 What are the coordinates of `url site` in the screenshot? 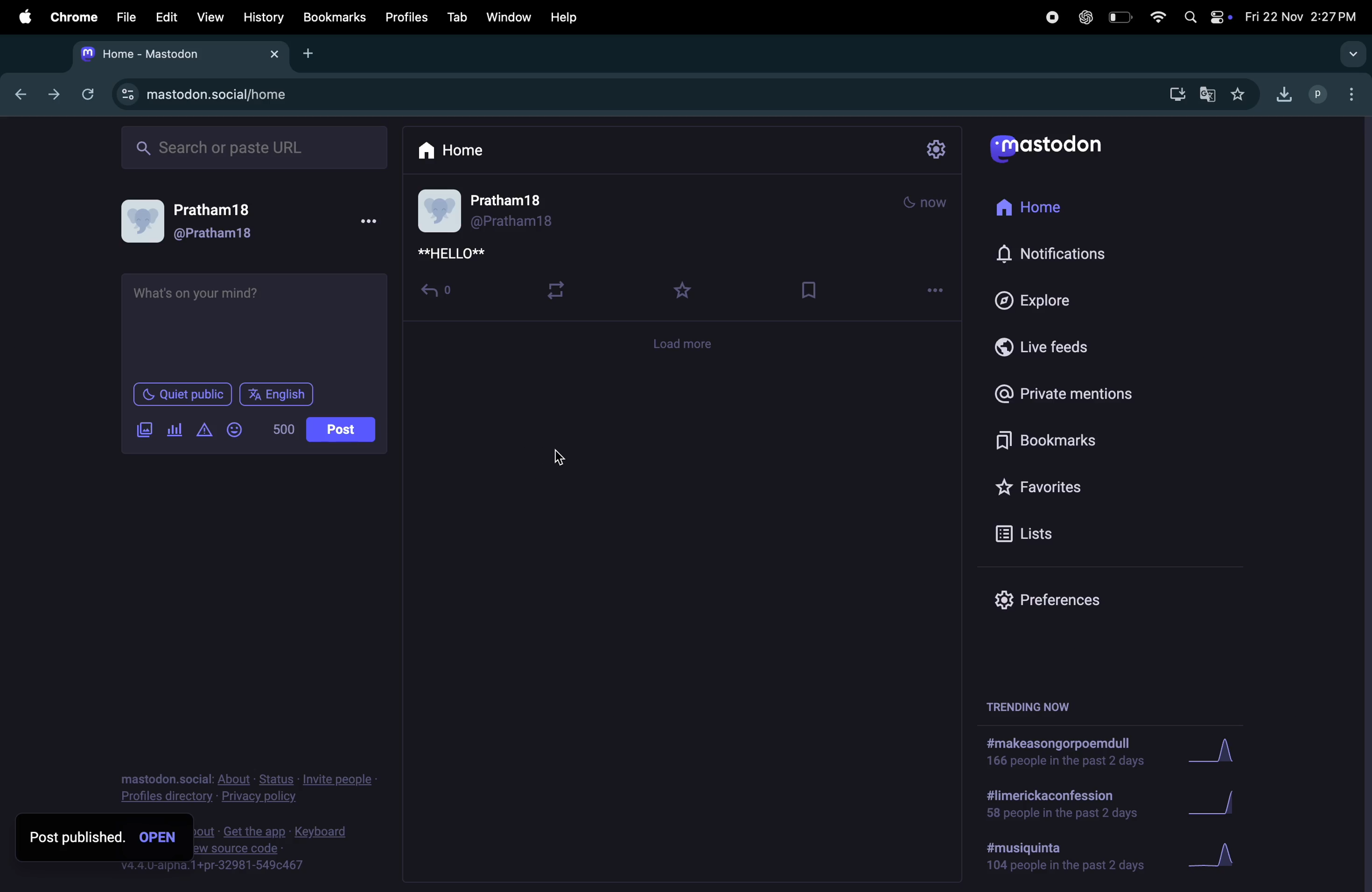 It's located at (211, 97).